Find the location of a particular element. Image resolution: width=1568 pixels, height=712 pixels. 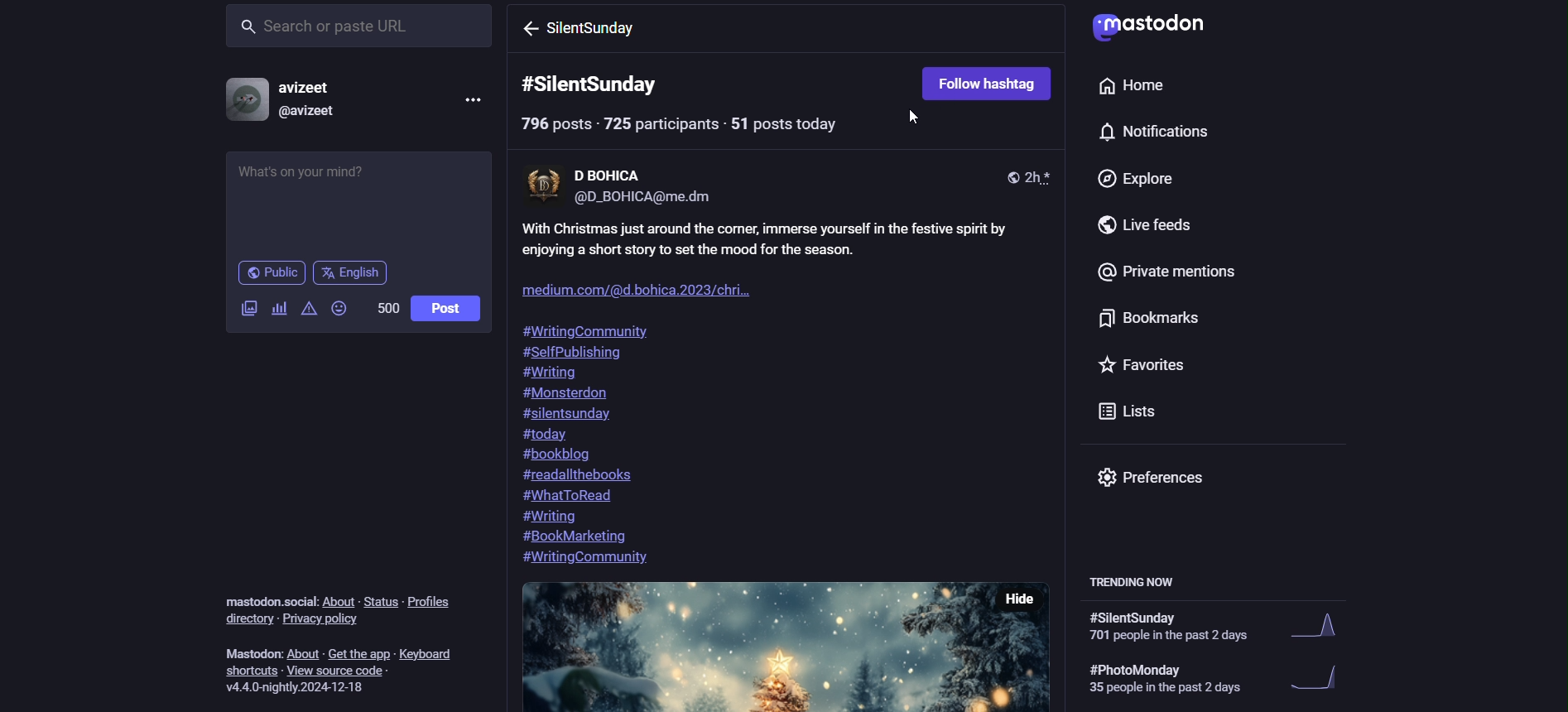

keyboard is located at coordinates (433, 654).